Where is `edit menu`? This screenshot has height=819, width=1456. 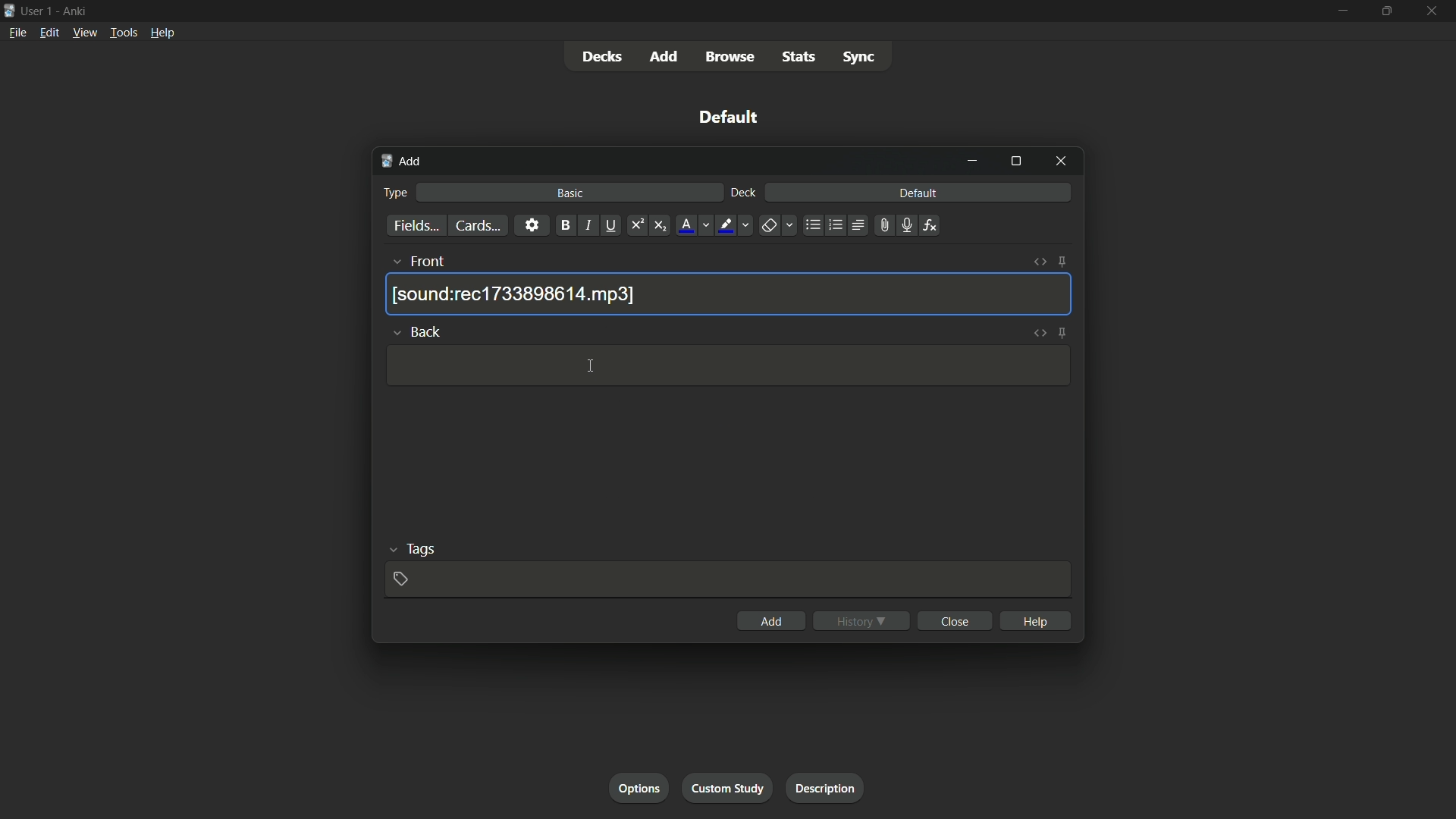 edit menu is located at coordinates (49, 33).